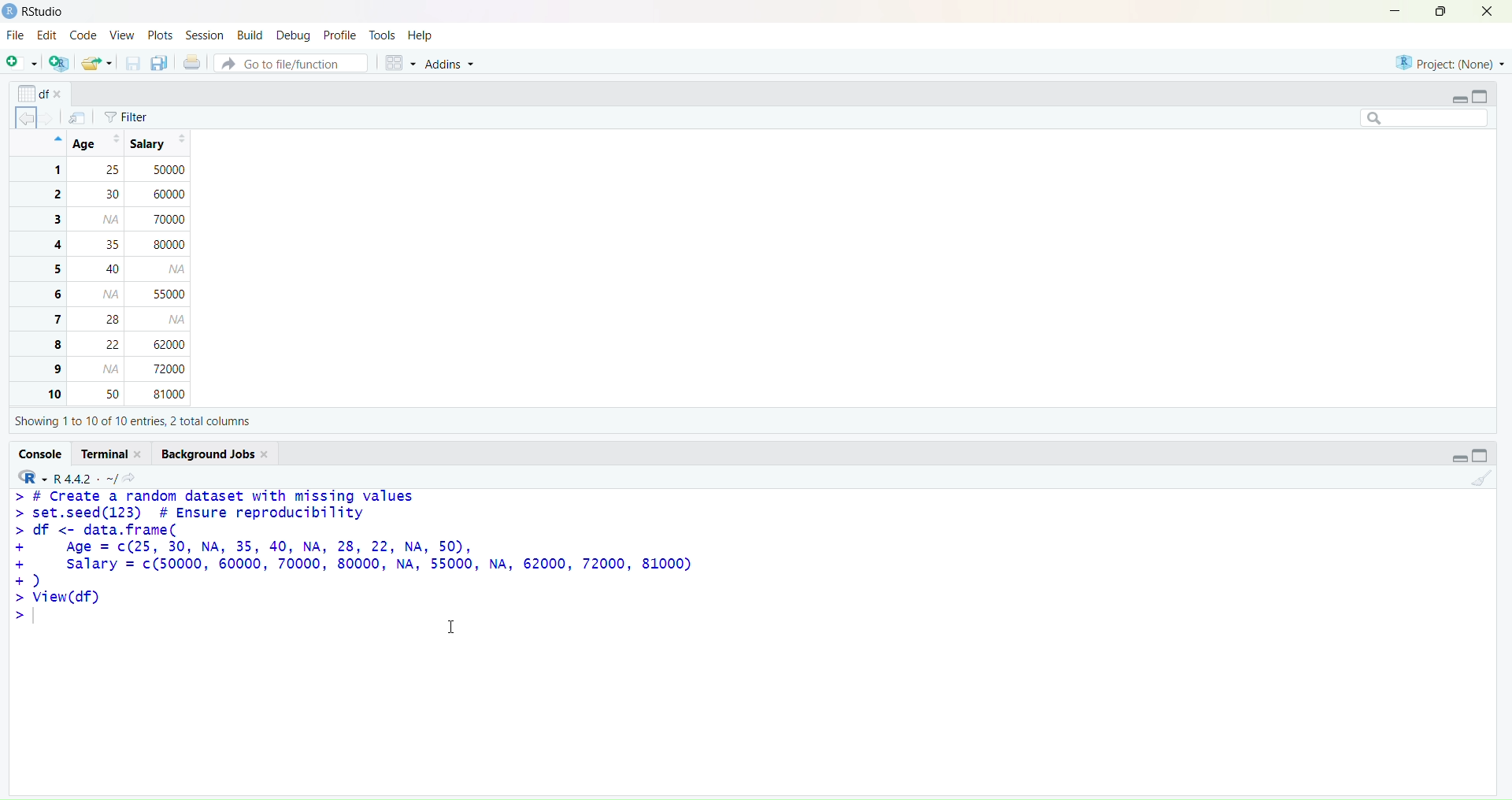  I want to click on close, so click(1485, 13).